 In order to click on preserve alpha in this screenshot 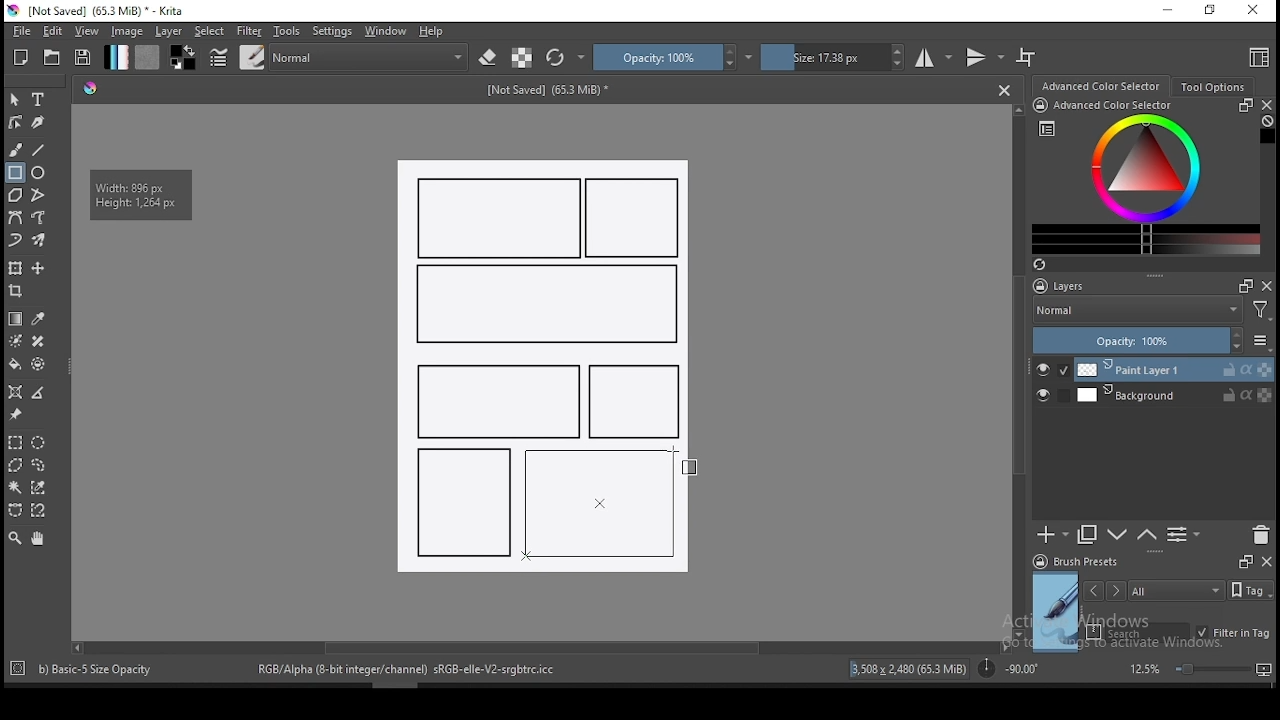, I will do `click(522, 59)`.